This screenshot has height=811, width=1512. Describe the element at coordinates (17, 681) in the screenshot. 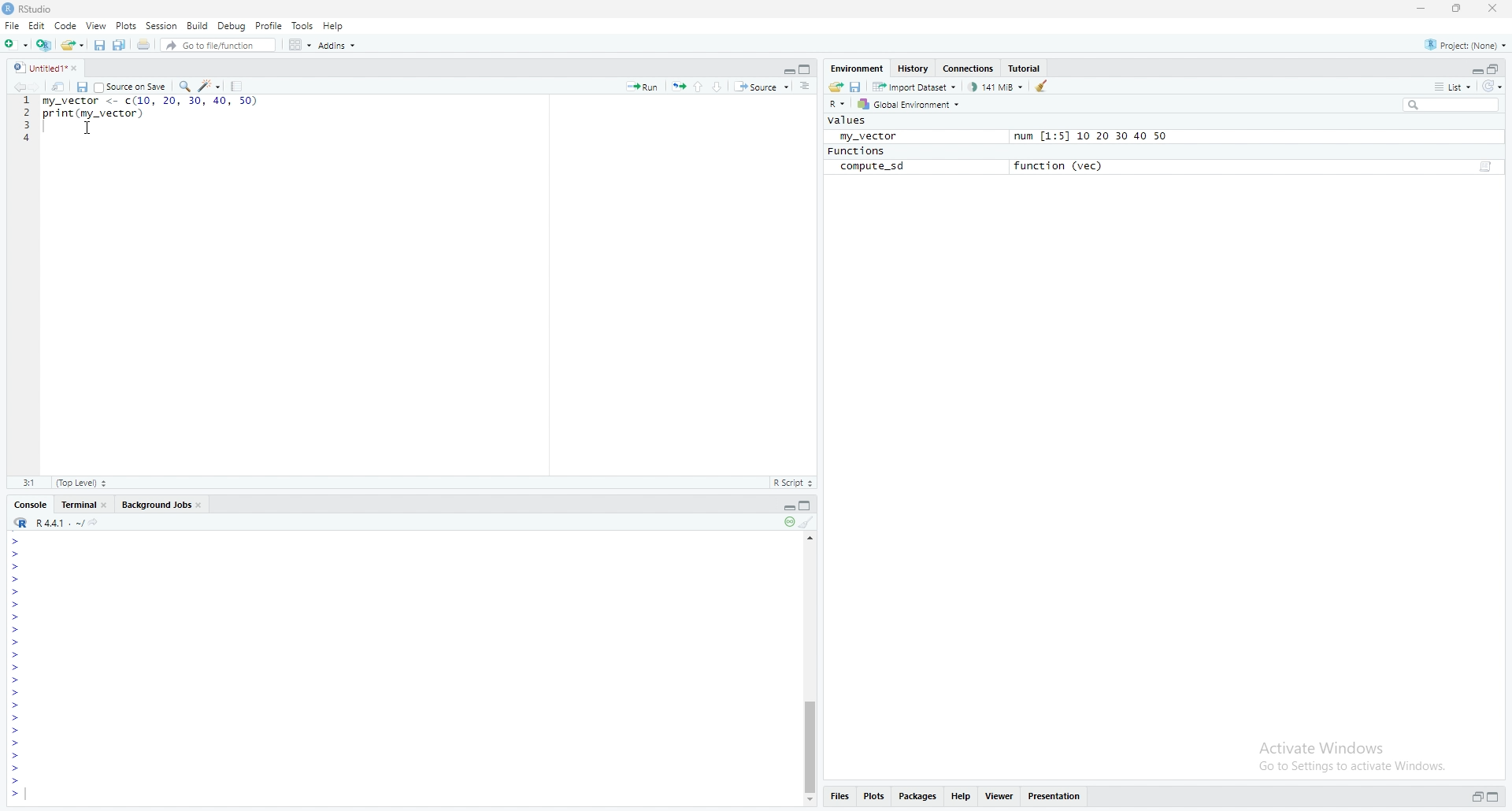

I see `Prompt cursor` at that location.